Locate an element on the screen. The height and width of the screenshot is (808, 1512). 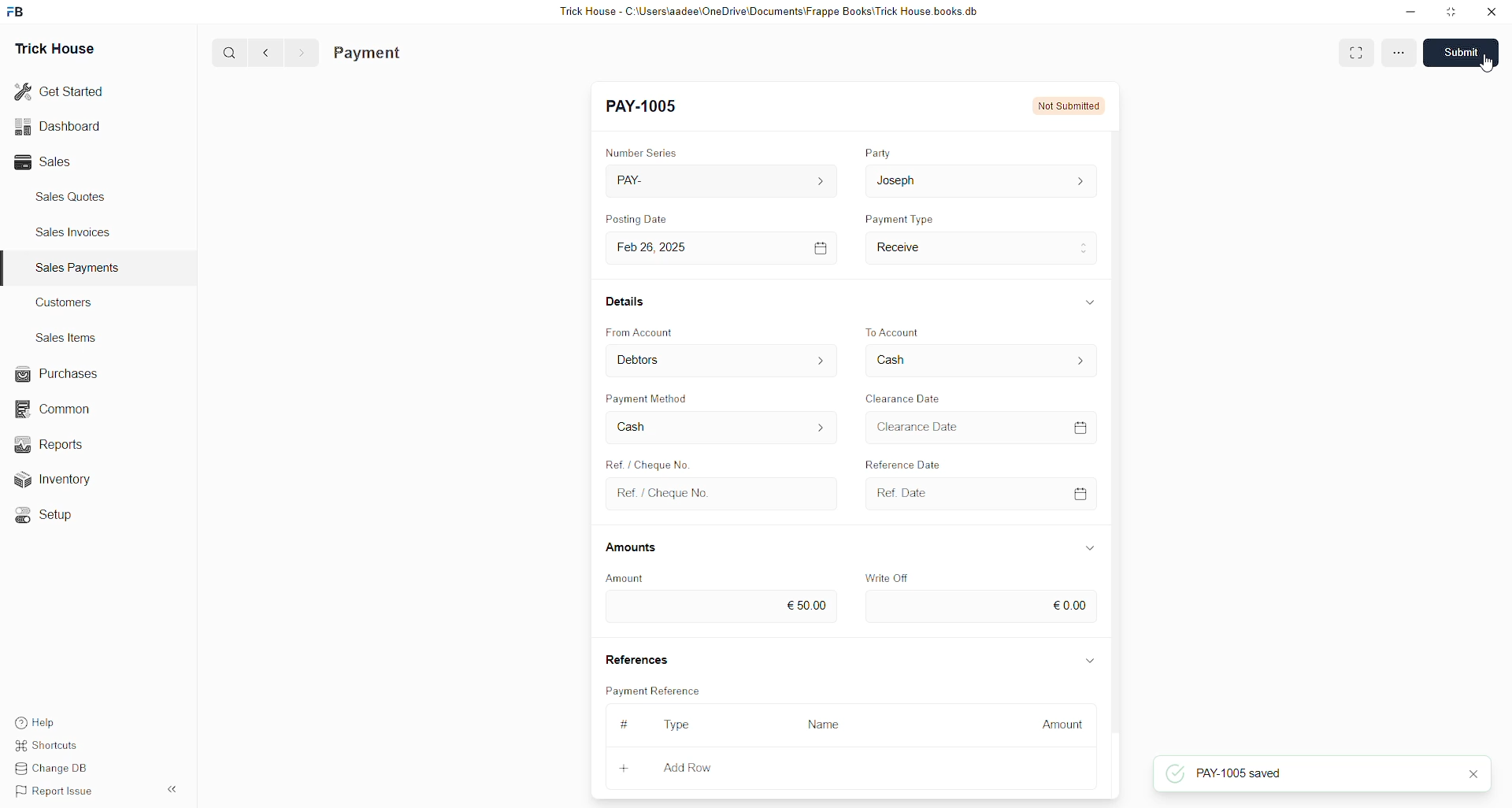
Get Started is located at coordinates (60, 92).